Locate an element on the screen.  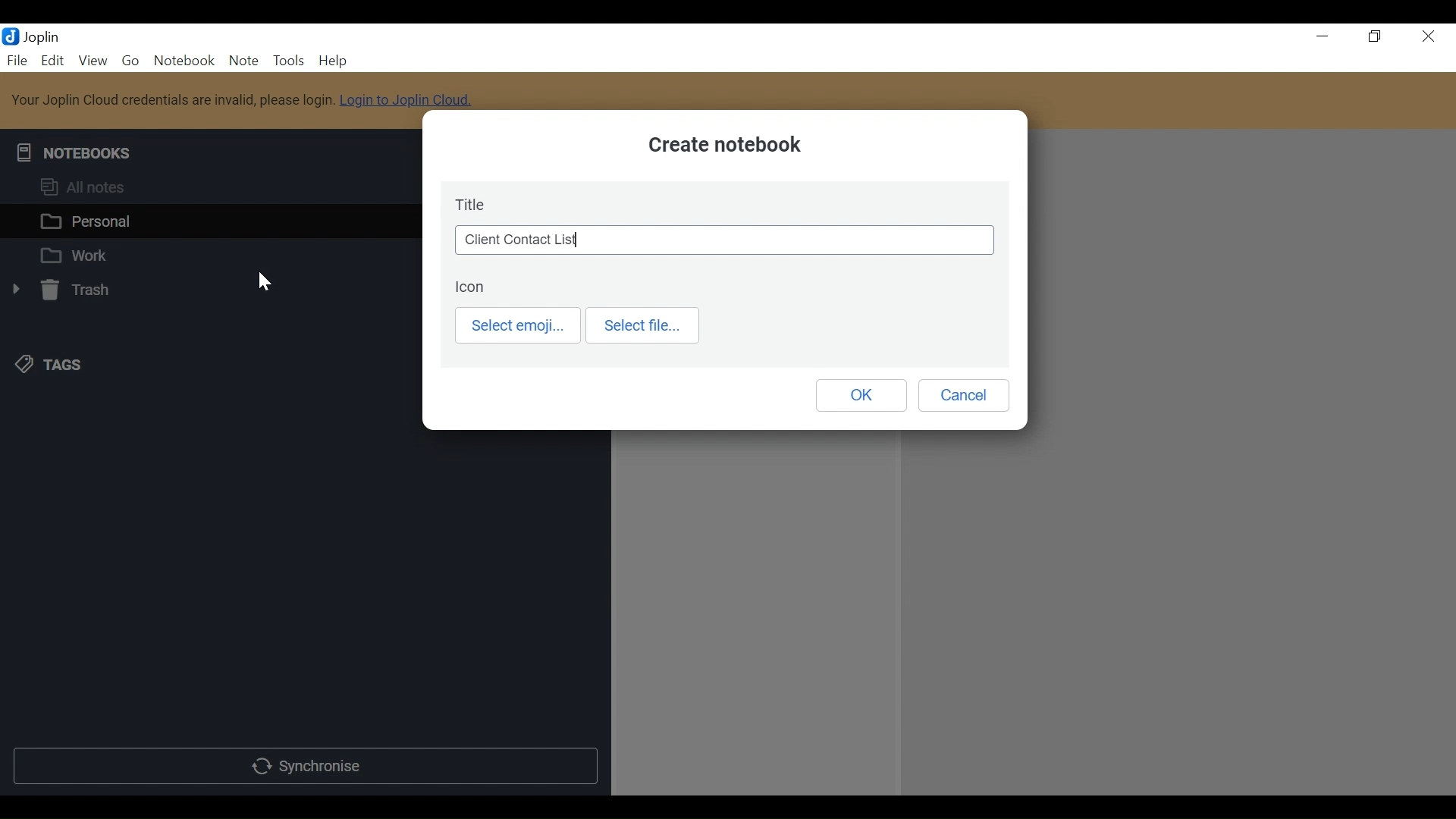
Title is located at coordinates (472, 203).